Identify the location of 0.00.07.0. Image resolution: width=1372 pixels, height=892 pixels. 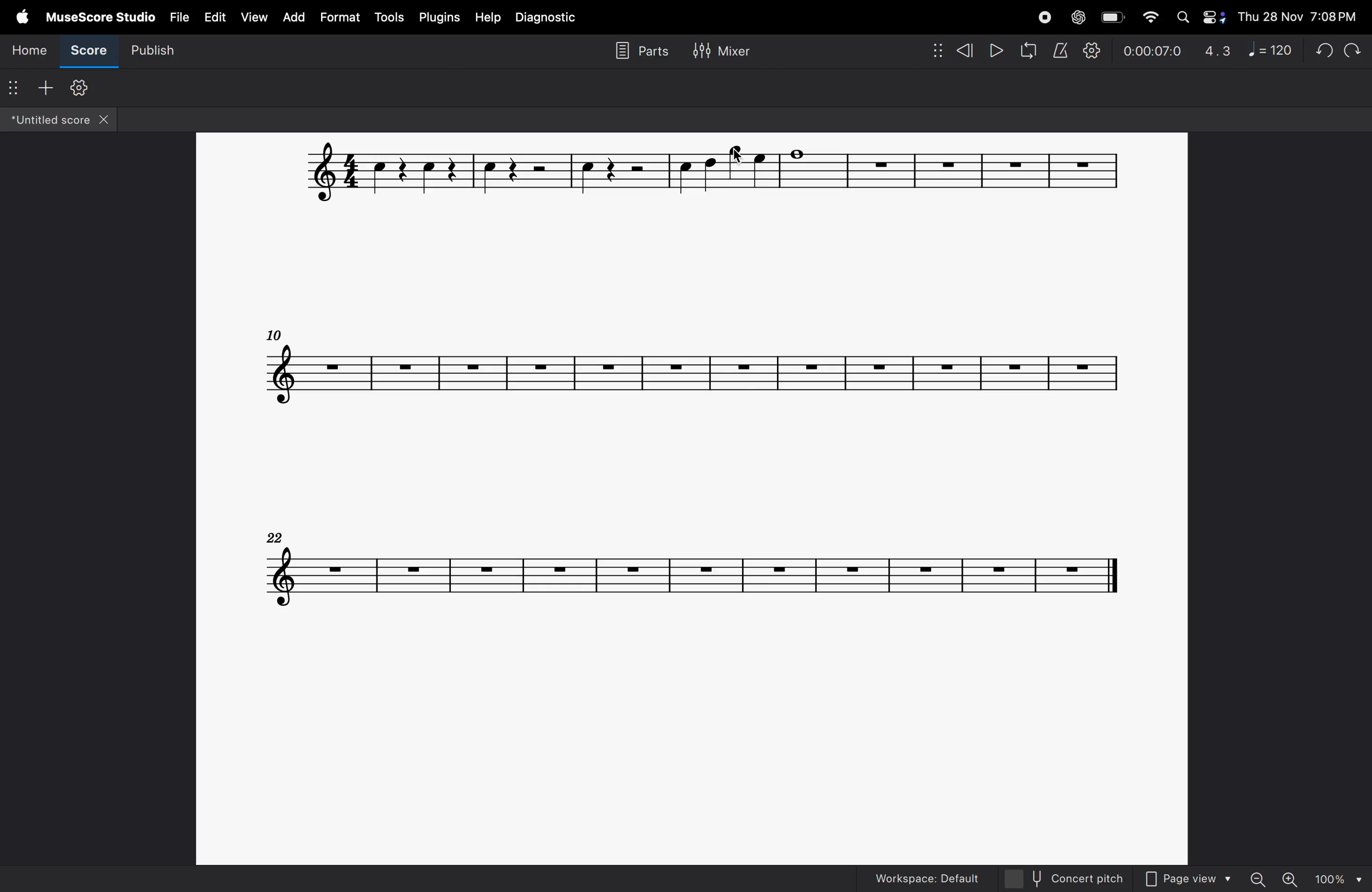
(1152, 48).